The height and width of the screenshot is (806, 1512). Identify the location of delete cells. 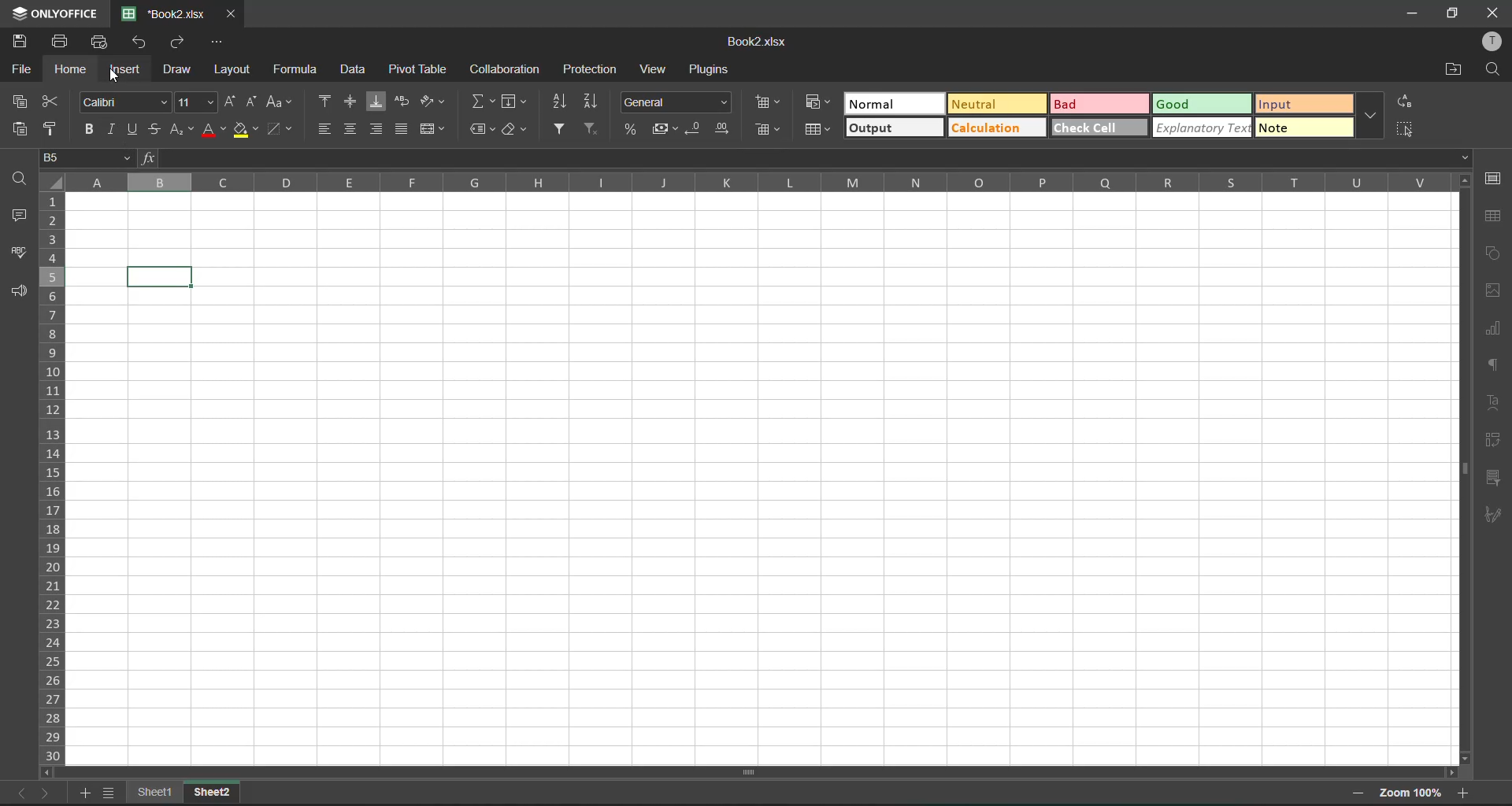
(767, 128).